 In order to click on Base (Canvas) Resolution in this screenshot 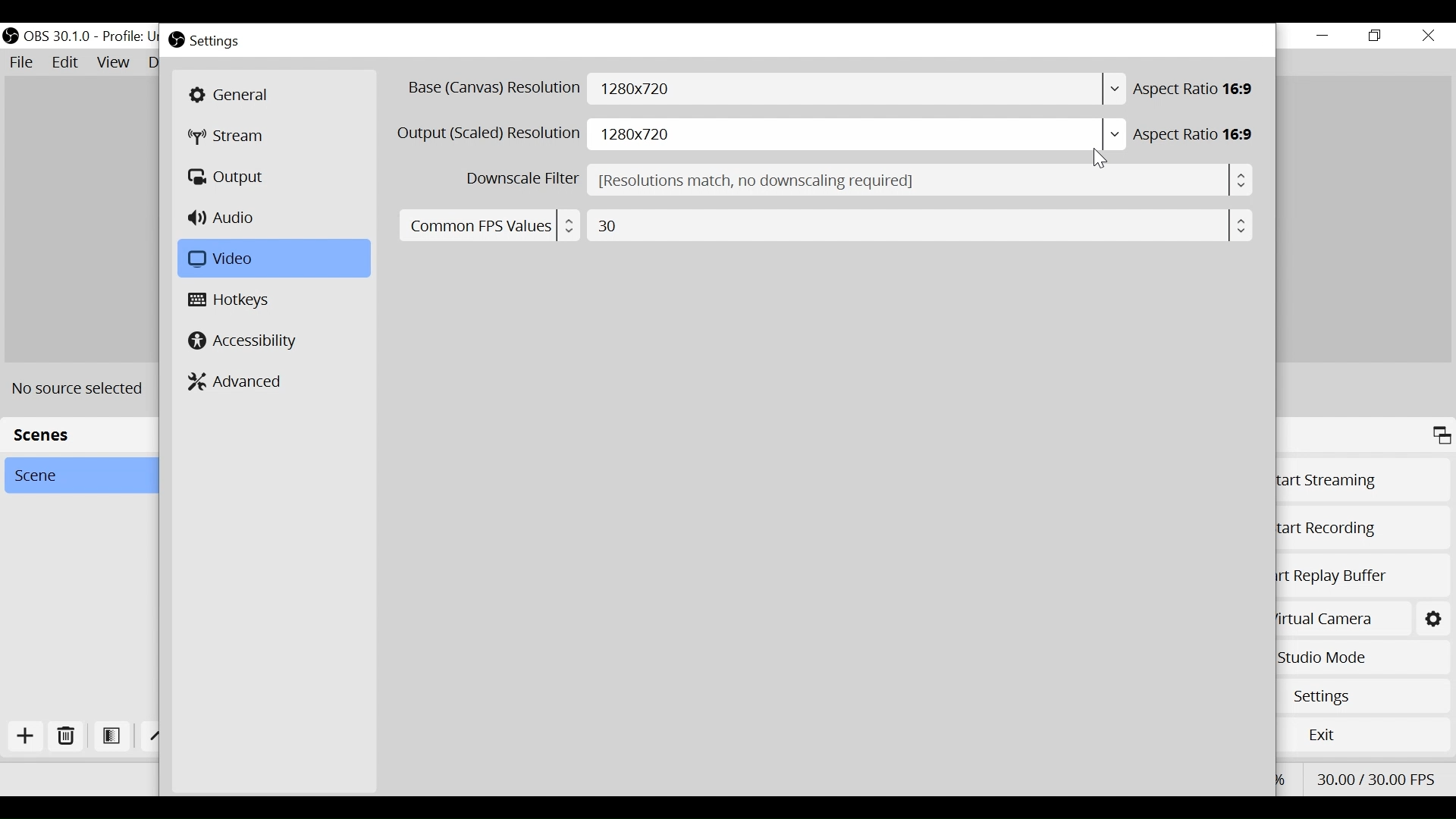, I will do `click(492, 89)`.